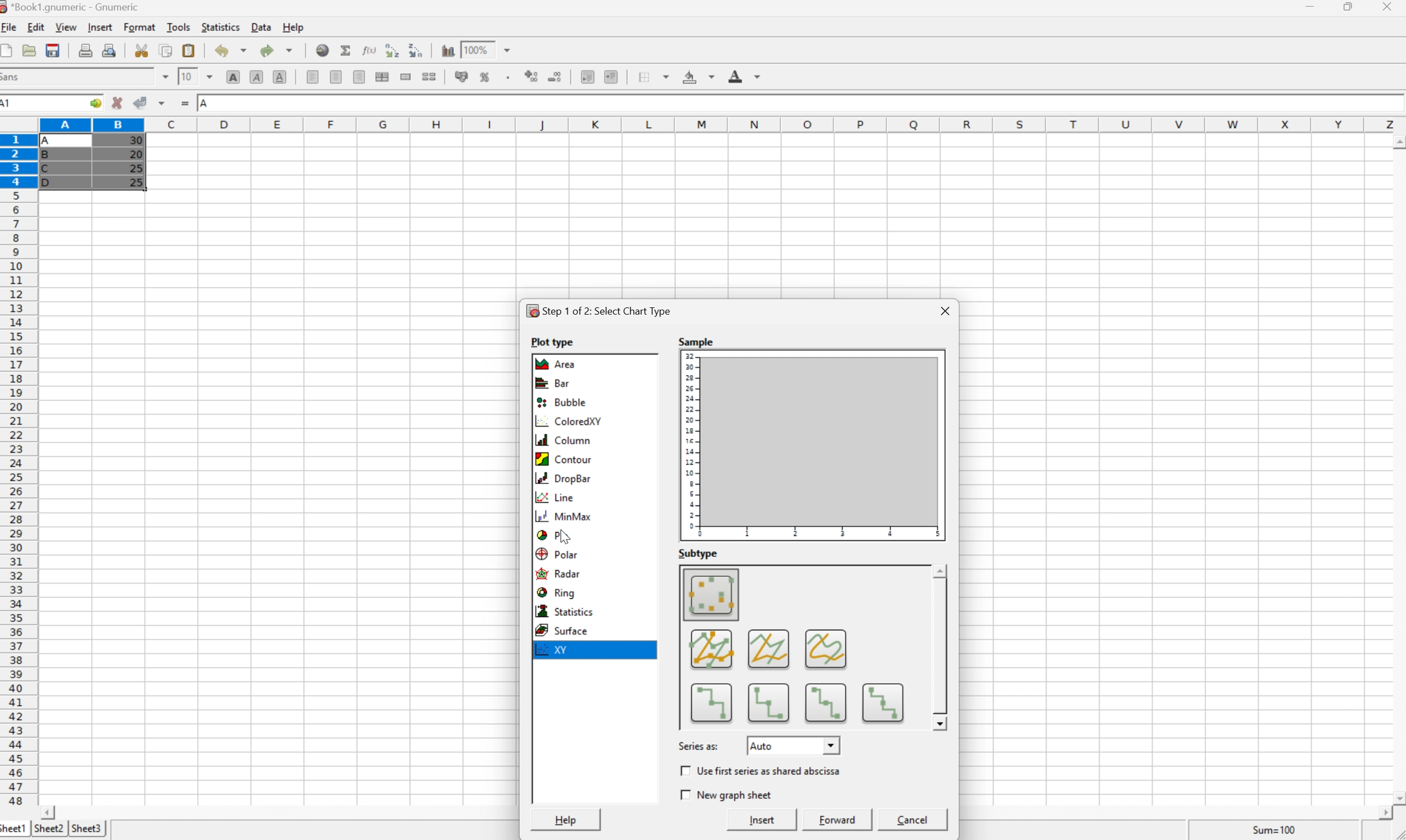 This screenshot has height=840, width=1406. What do you see at coordinates (813, 445) in the screenshot?
I see `XY Sample` at bounding box center [813, 445].